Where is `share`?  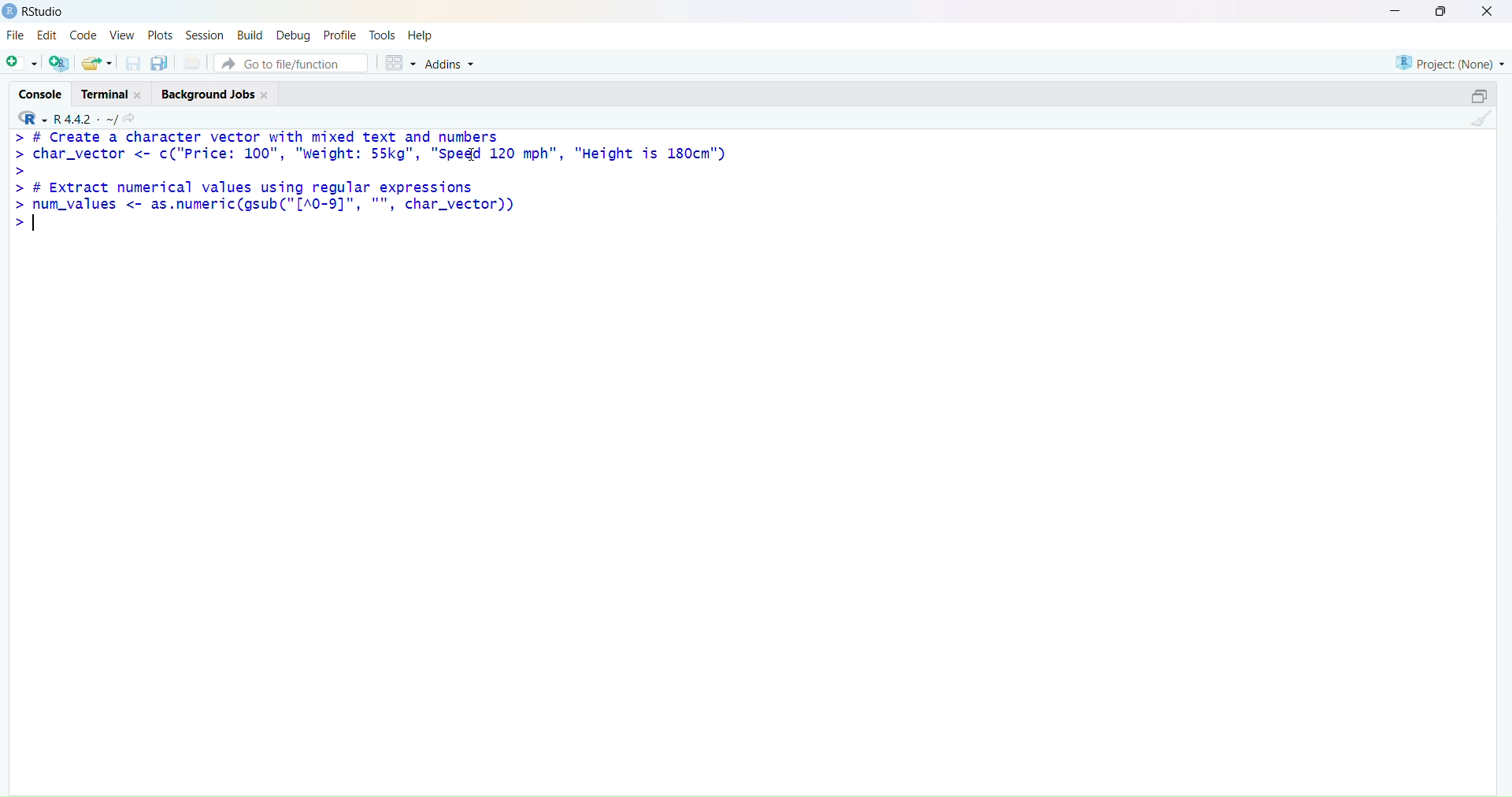
share is located at coordinates (129, 120).